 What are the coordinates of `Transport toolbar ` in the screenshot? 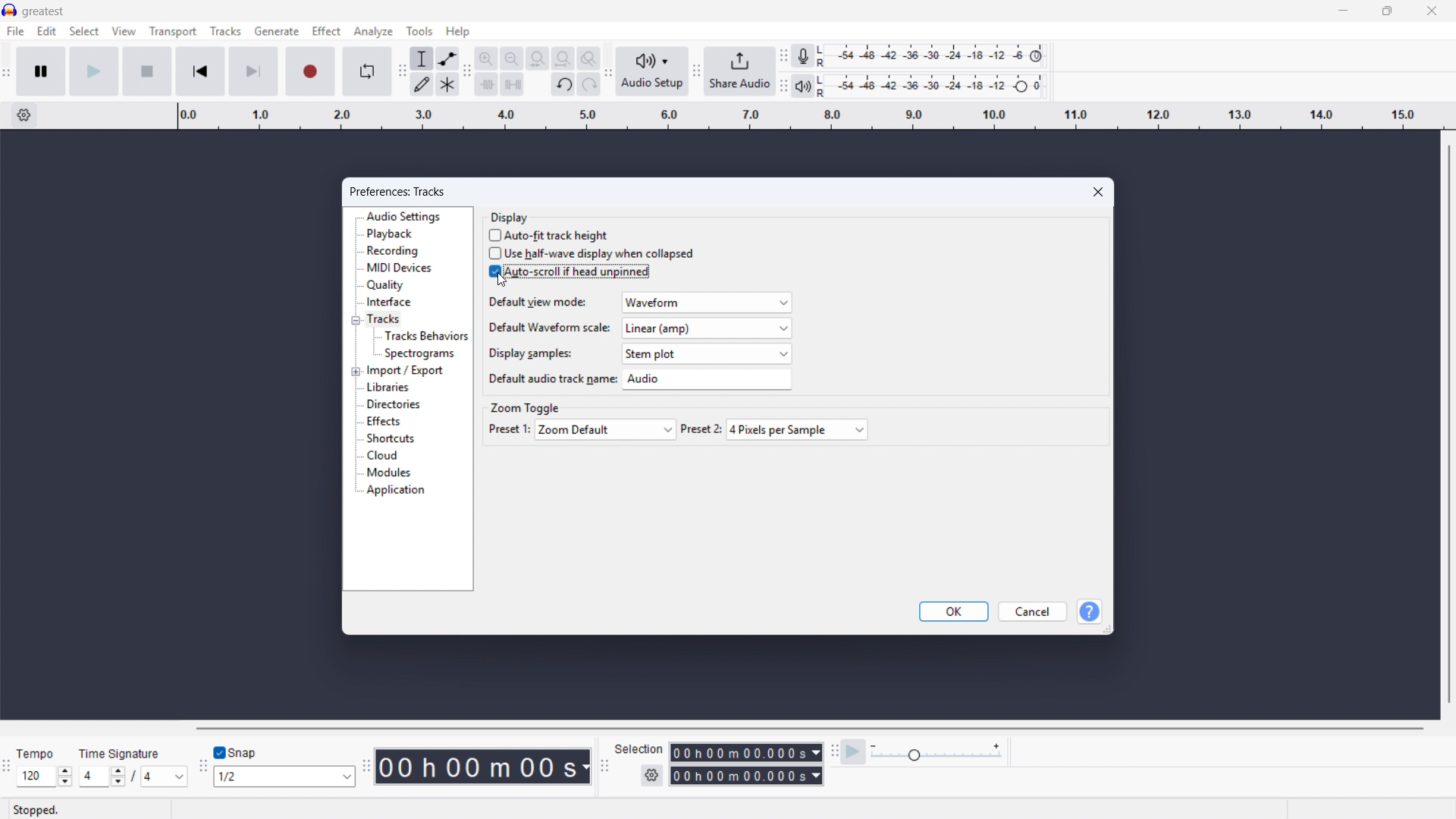 It's located at (7, 74).